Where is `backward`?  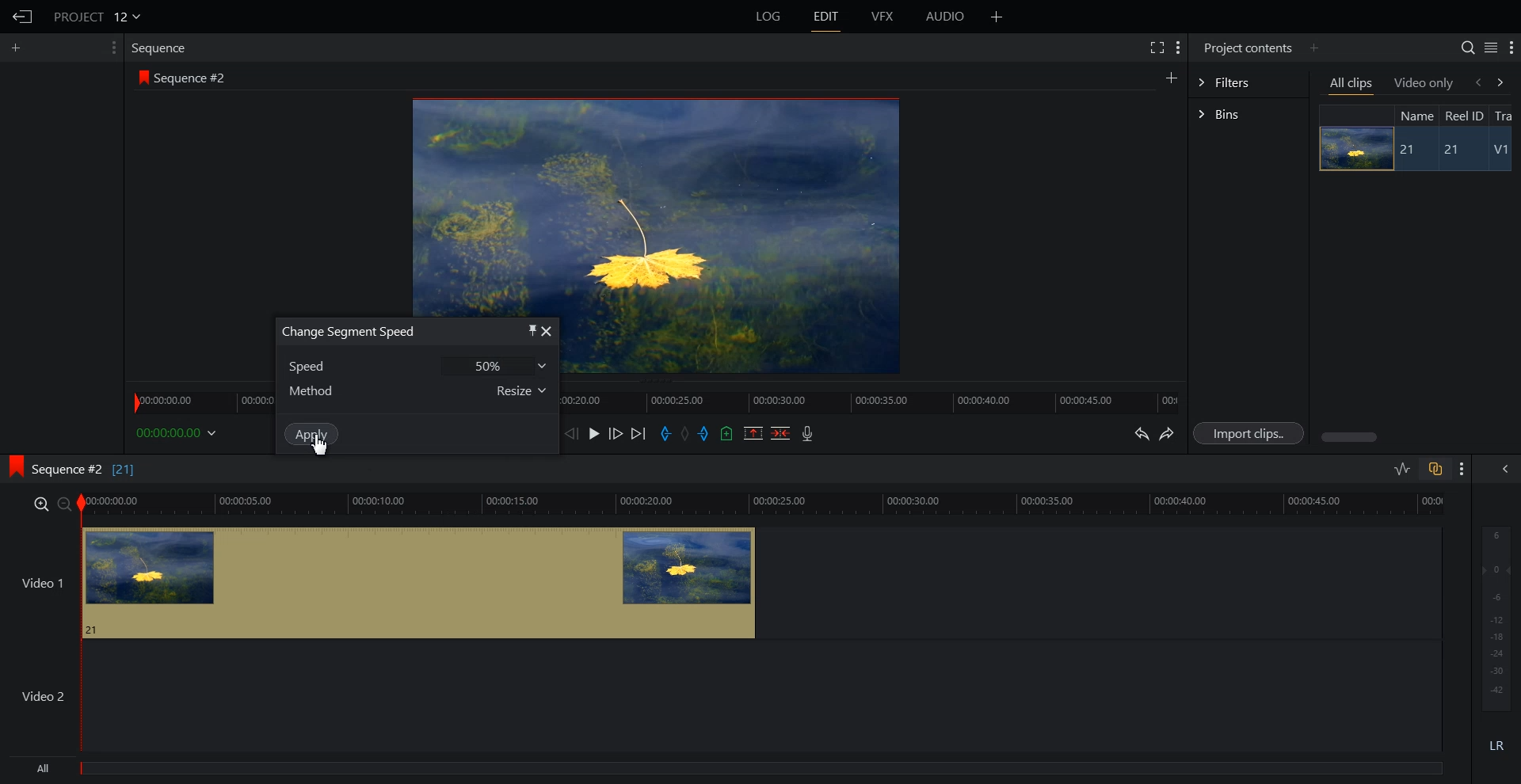 backward is located at coordinates (1477, 82).